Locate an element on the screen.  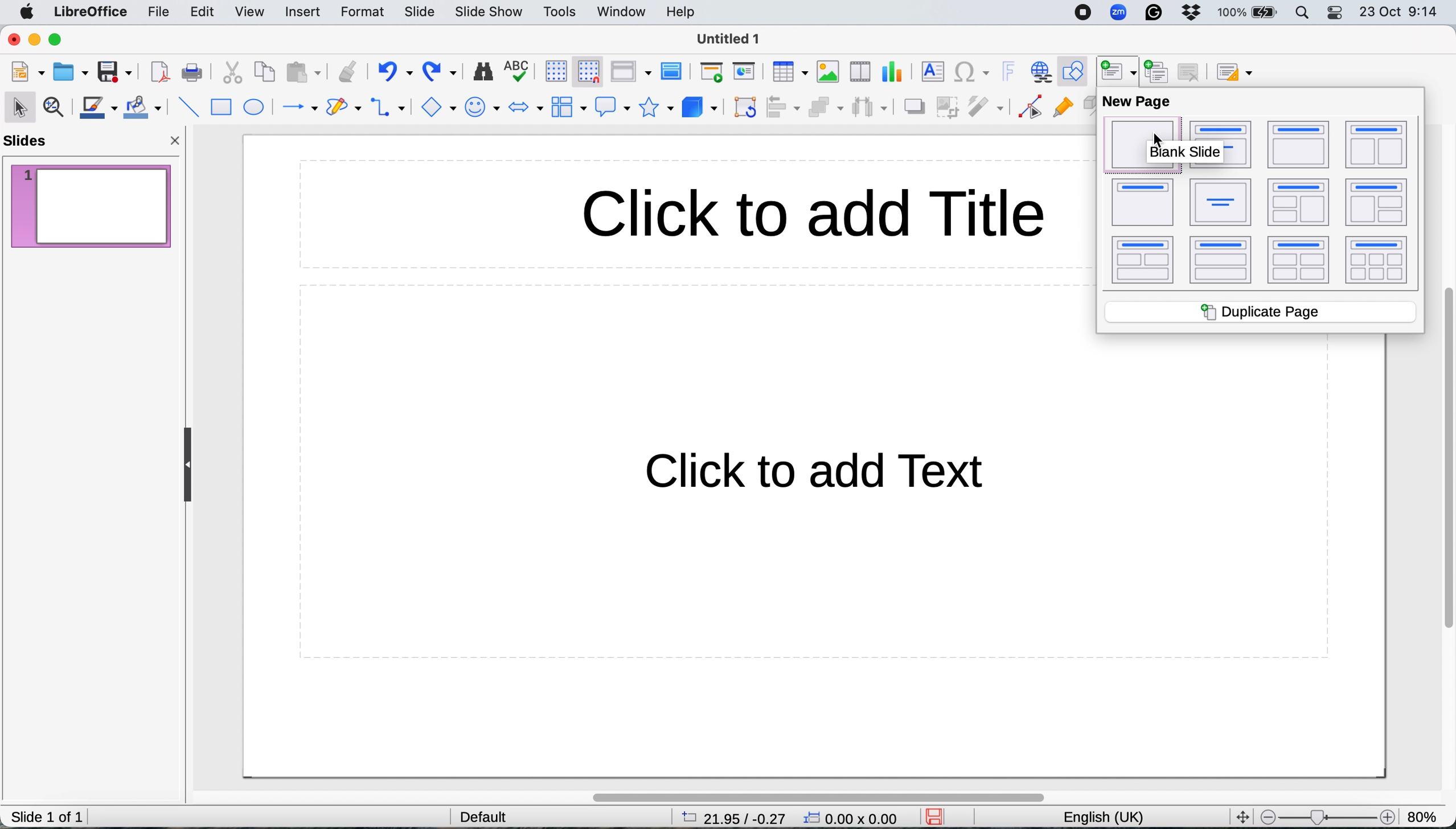
screen recorder is located at coordinates (1082, 14).